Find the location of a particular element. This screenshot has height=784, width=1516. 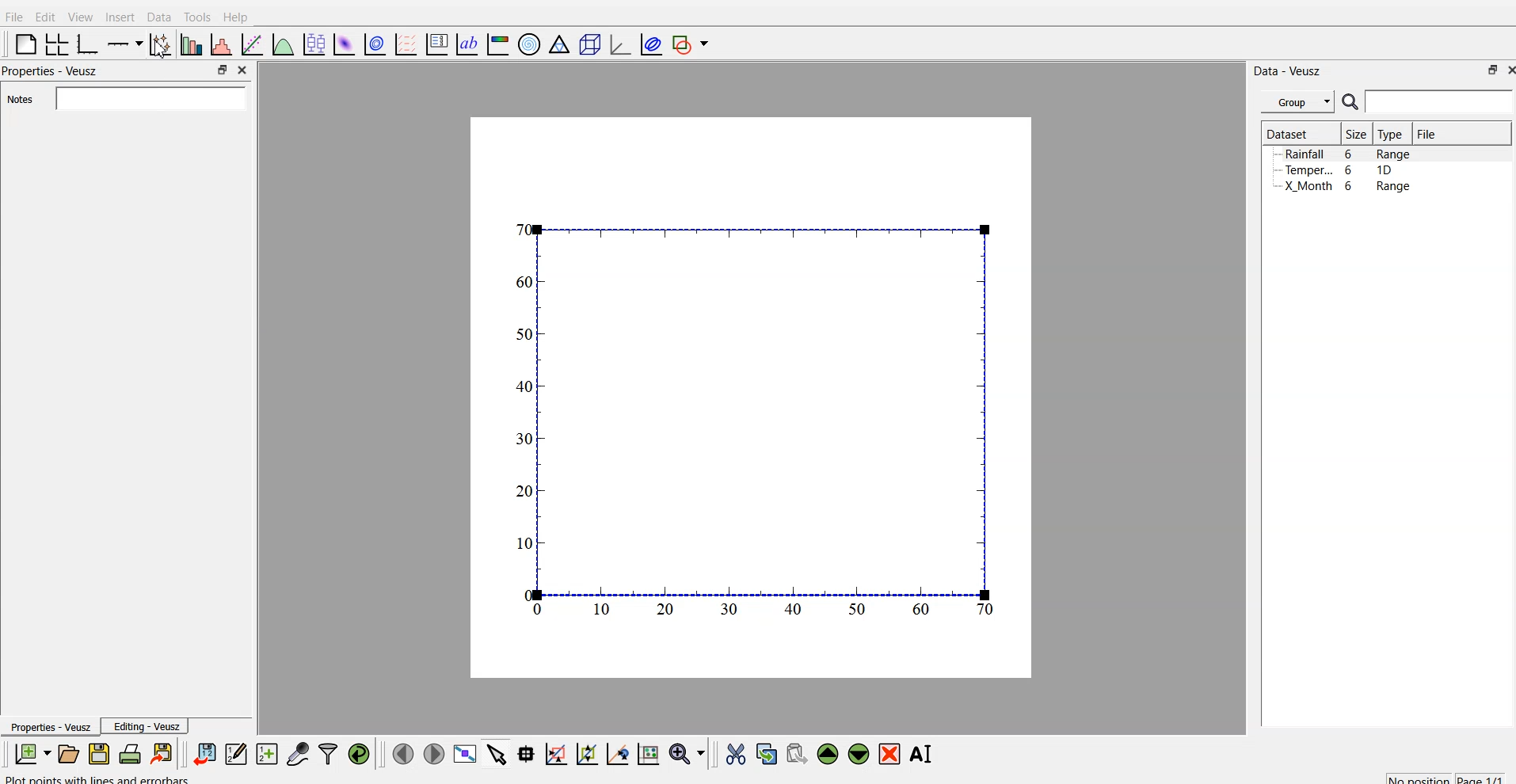

File is located at coordinates (1428, 134).